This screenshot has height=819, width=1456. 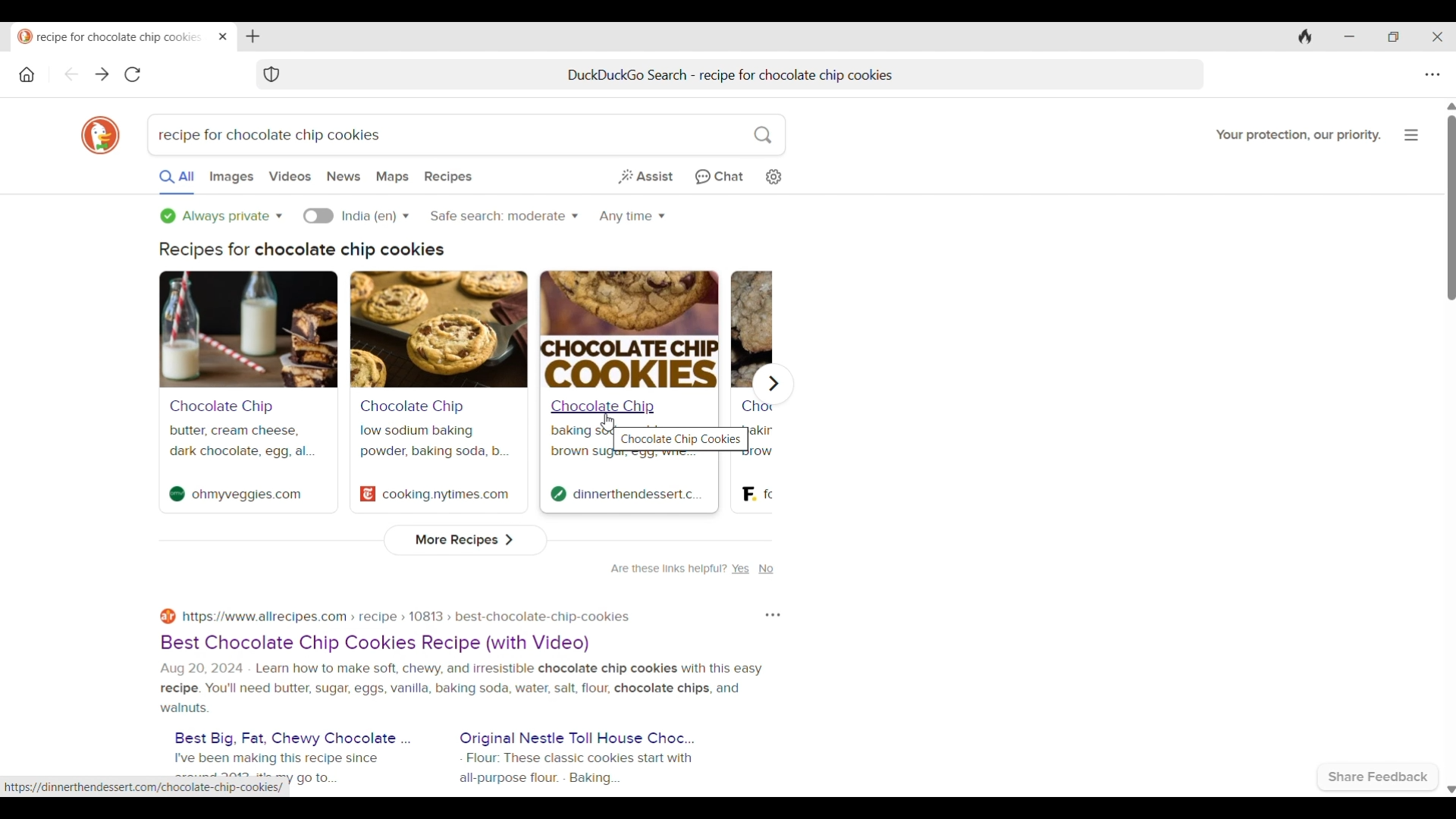 What do you see at coordinates (1450, 790) in the screenshot?
I see `Quick slide to bottom` at bounding box center [1450, 790].